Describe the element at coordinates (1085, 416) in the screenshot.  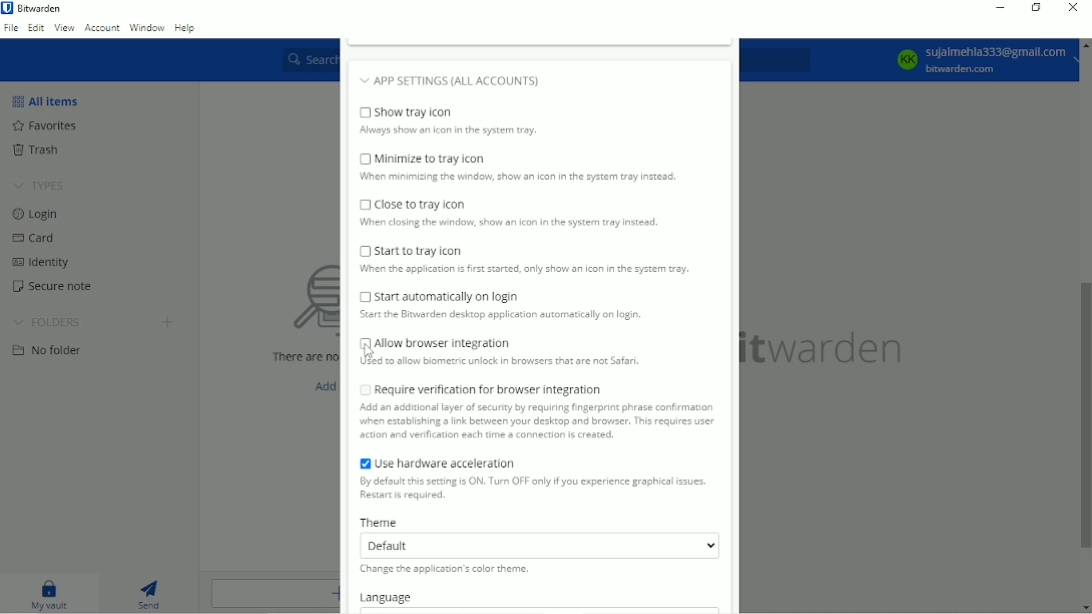
I see `Vertical scrollbar` at that location.